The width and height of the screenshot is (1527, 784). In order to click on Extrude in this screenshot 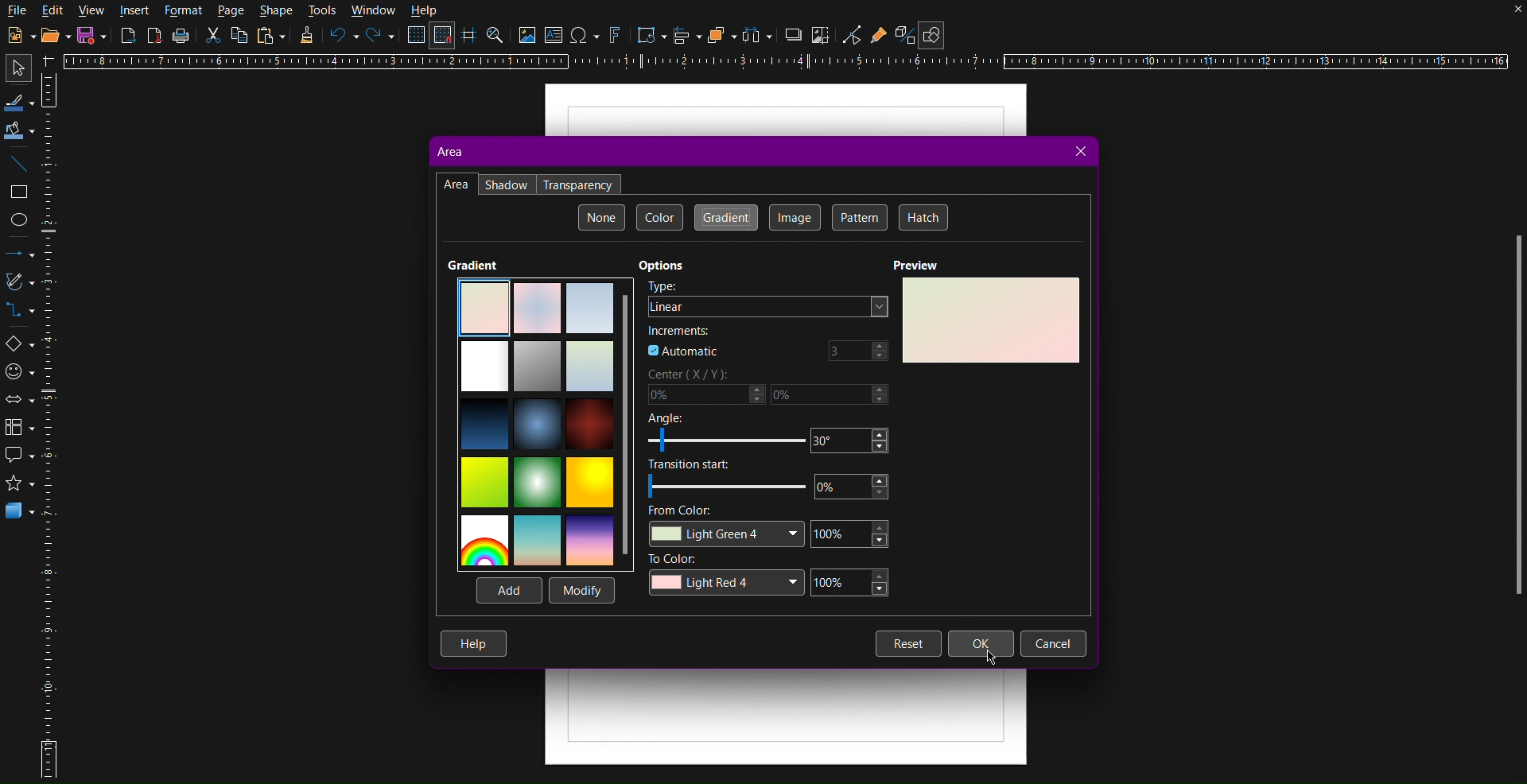, I will do `click(900, 33)`.